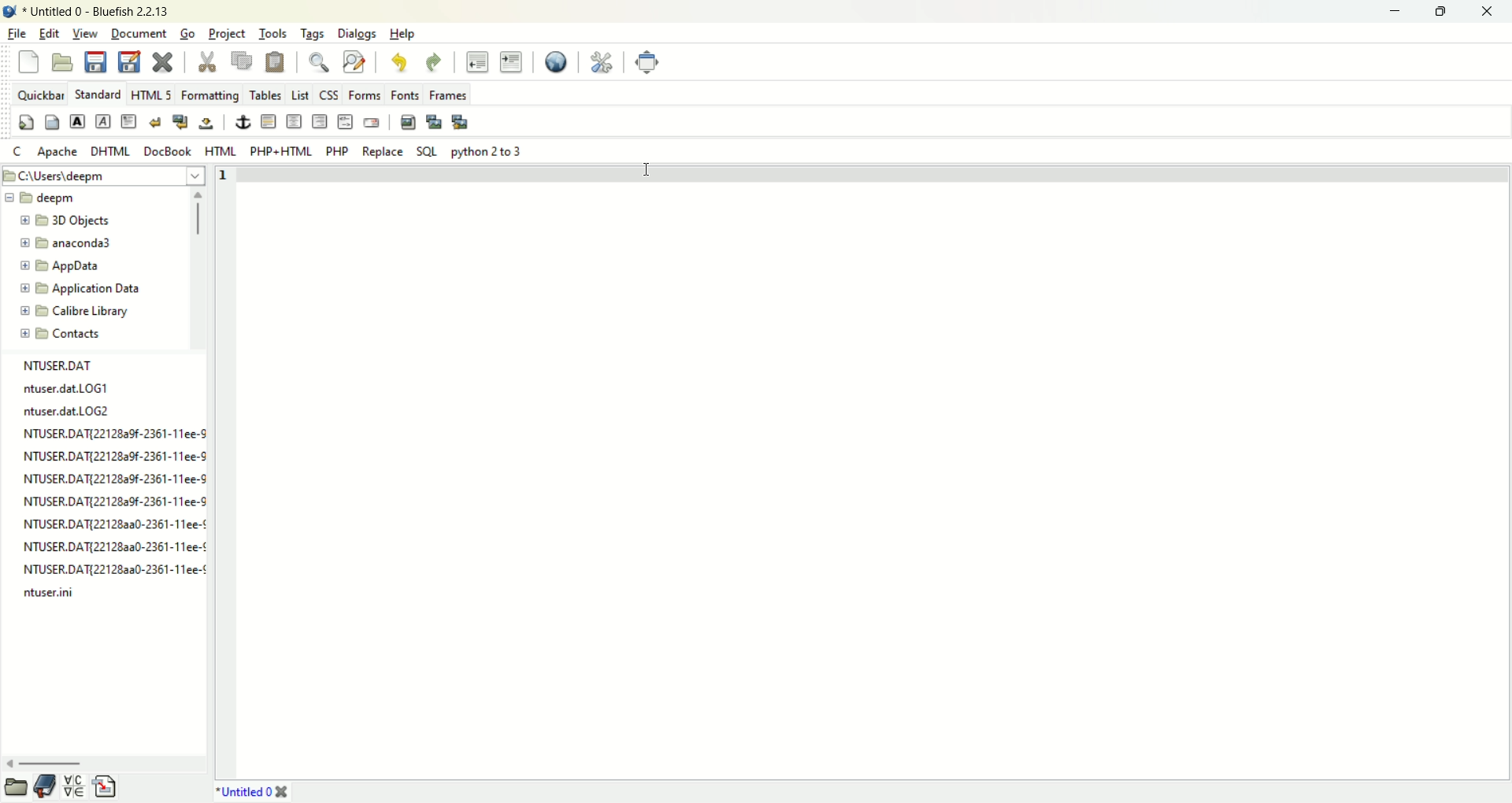 This screenshot has width=1512, height=803. I want to click on help, so click(401, 34).